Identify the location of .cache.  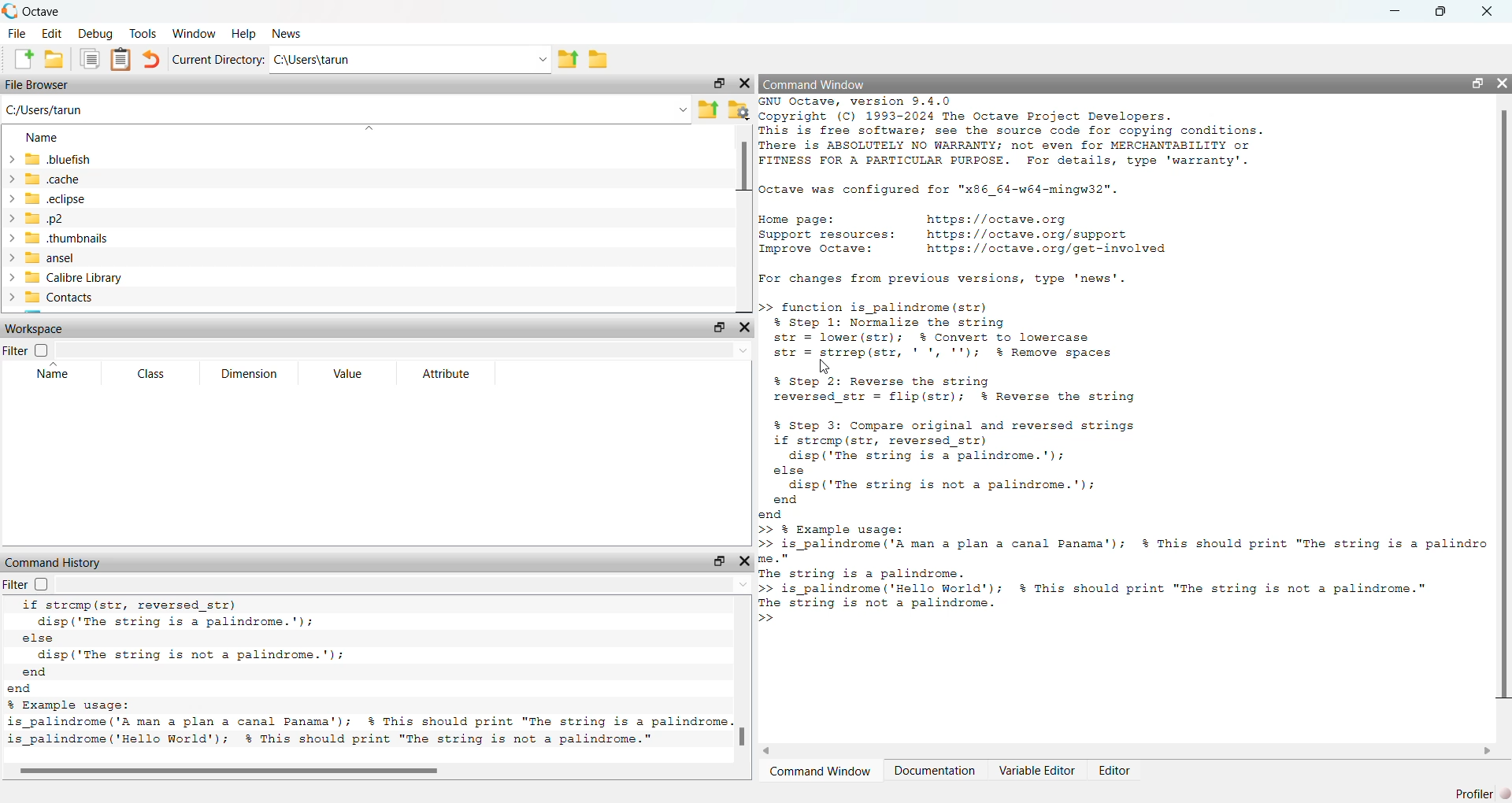
(76, 178).